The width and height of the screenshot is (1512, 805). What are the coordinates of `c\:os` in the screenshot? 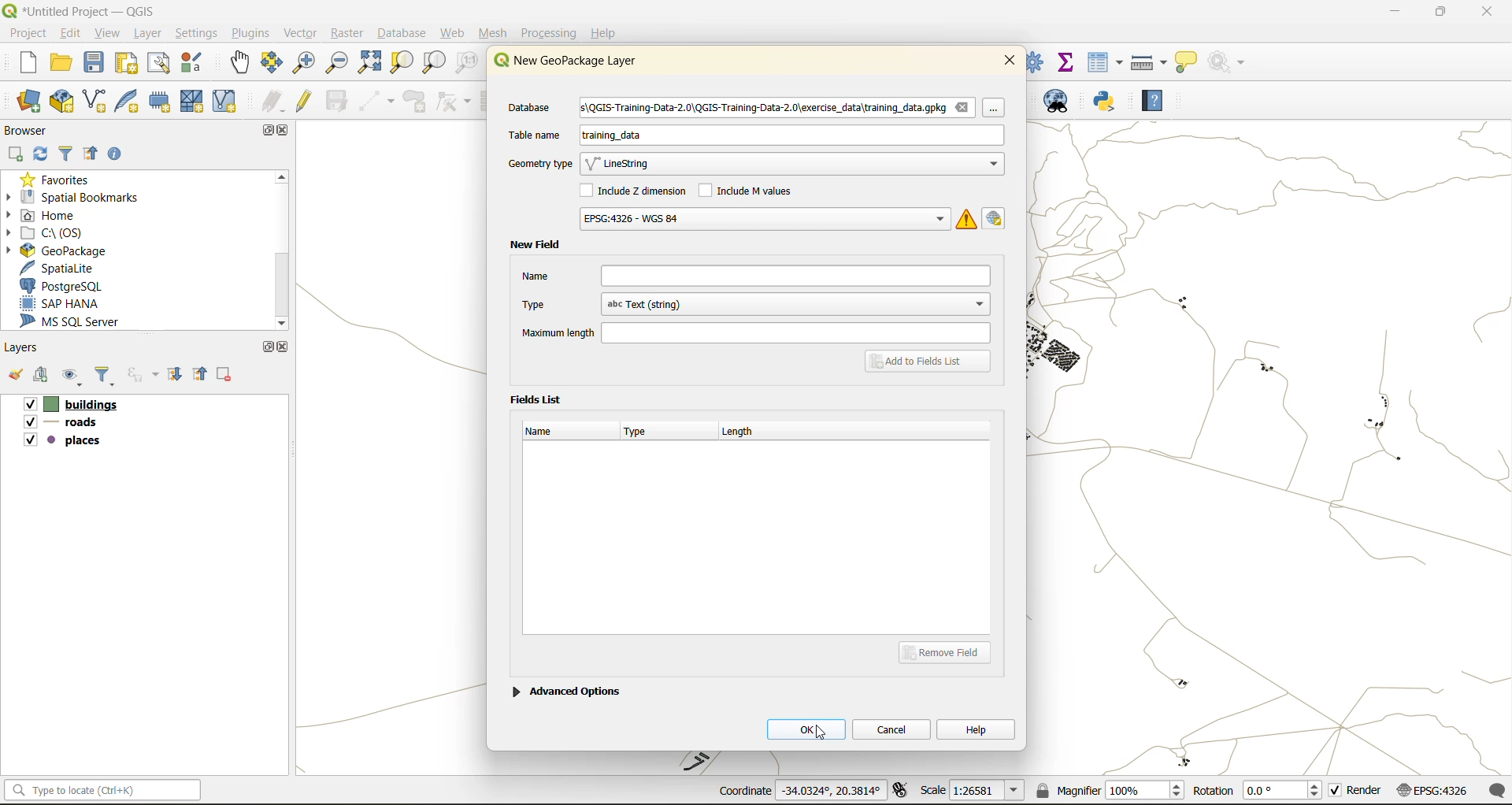 It's located at (59, 232).